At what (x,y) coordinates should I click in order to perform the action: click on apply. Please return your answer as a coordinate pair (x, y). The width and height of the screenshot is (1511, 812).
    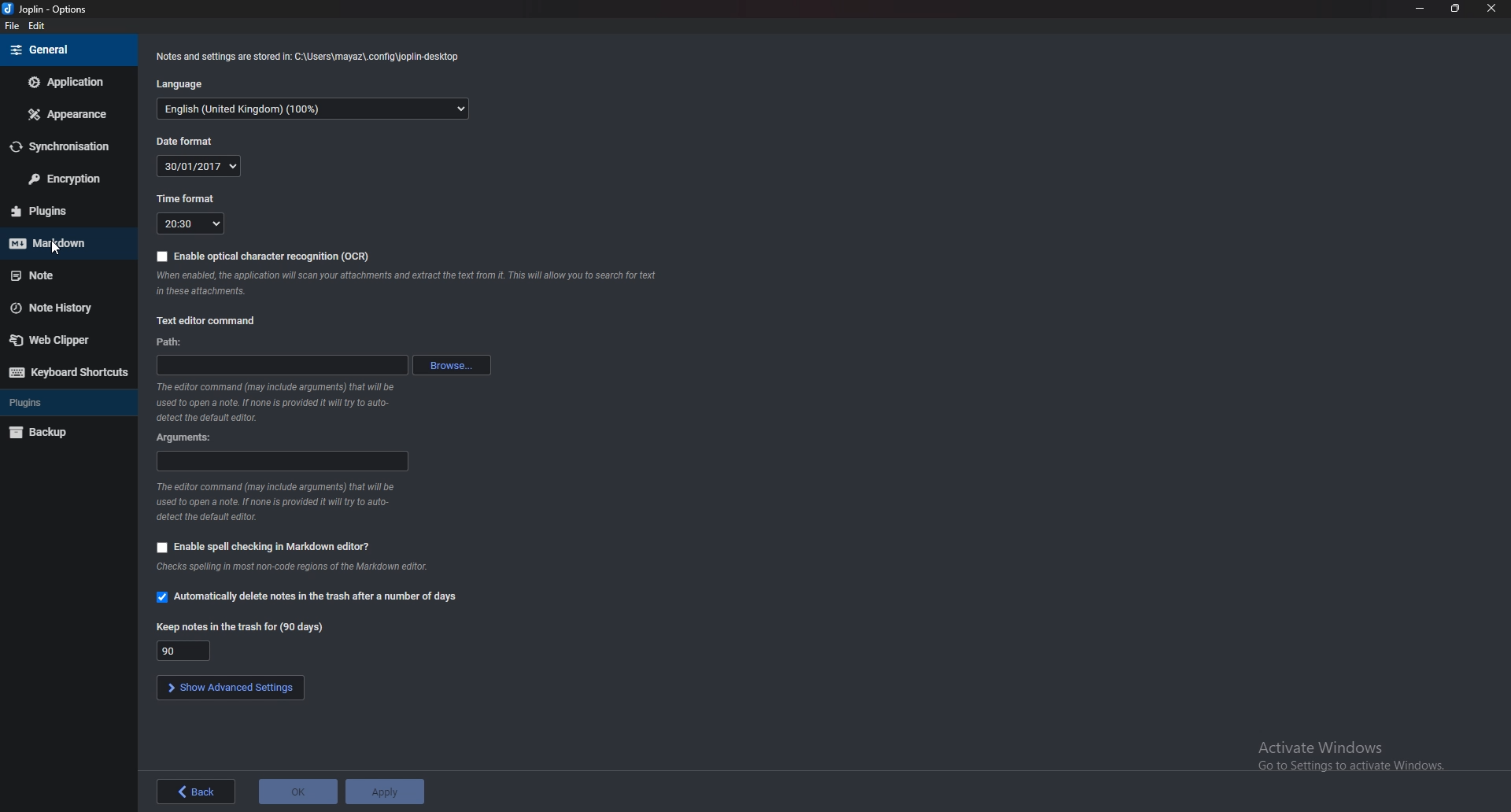
    Looking at the image, I should click on (390, 792).